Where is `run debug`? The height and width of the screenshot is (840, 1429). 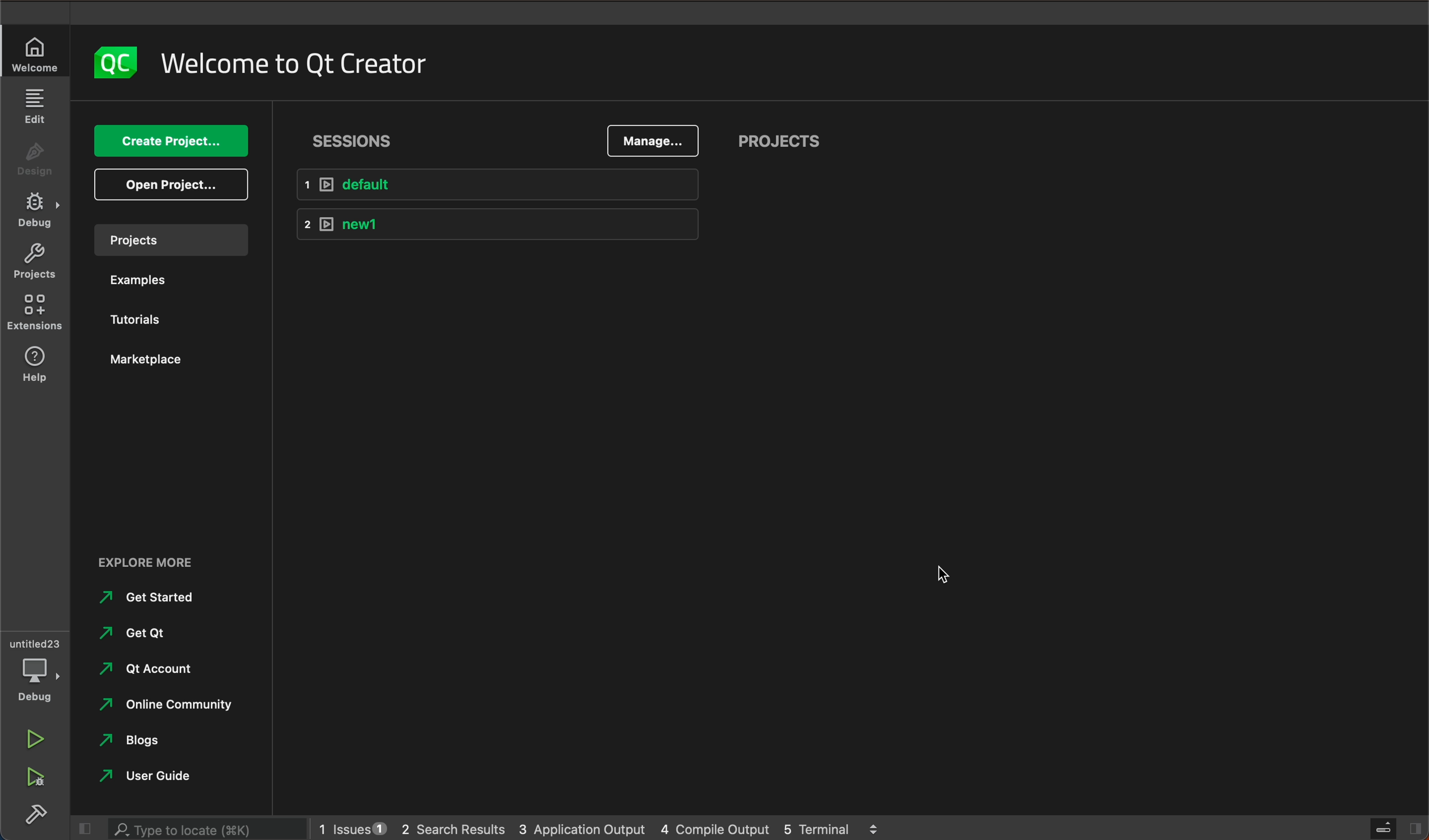
run debug is located at coordinates (37, 775).